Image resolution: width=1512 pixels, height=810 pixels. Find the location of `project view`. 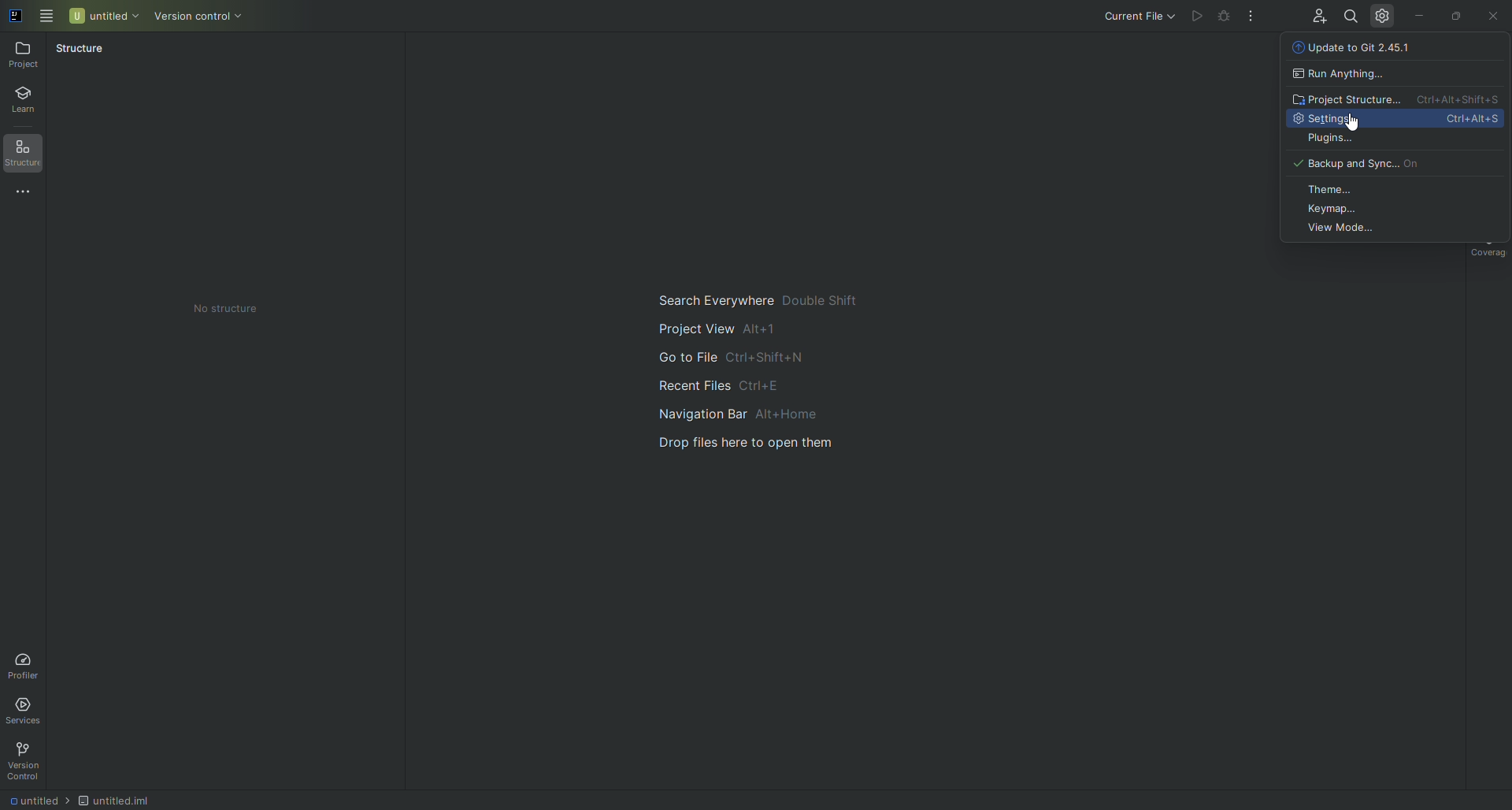

project view is located at coordinates (758, 329).